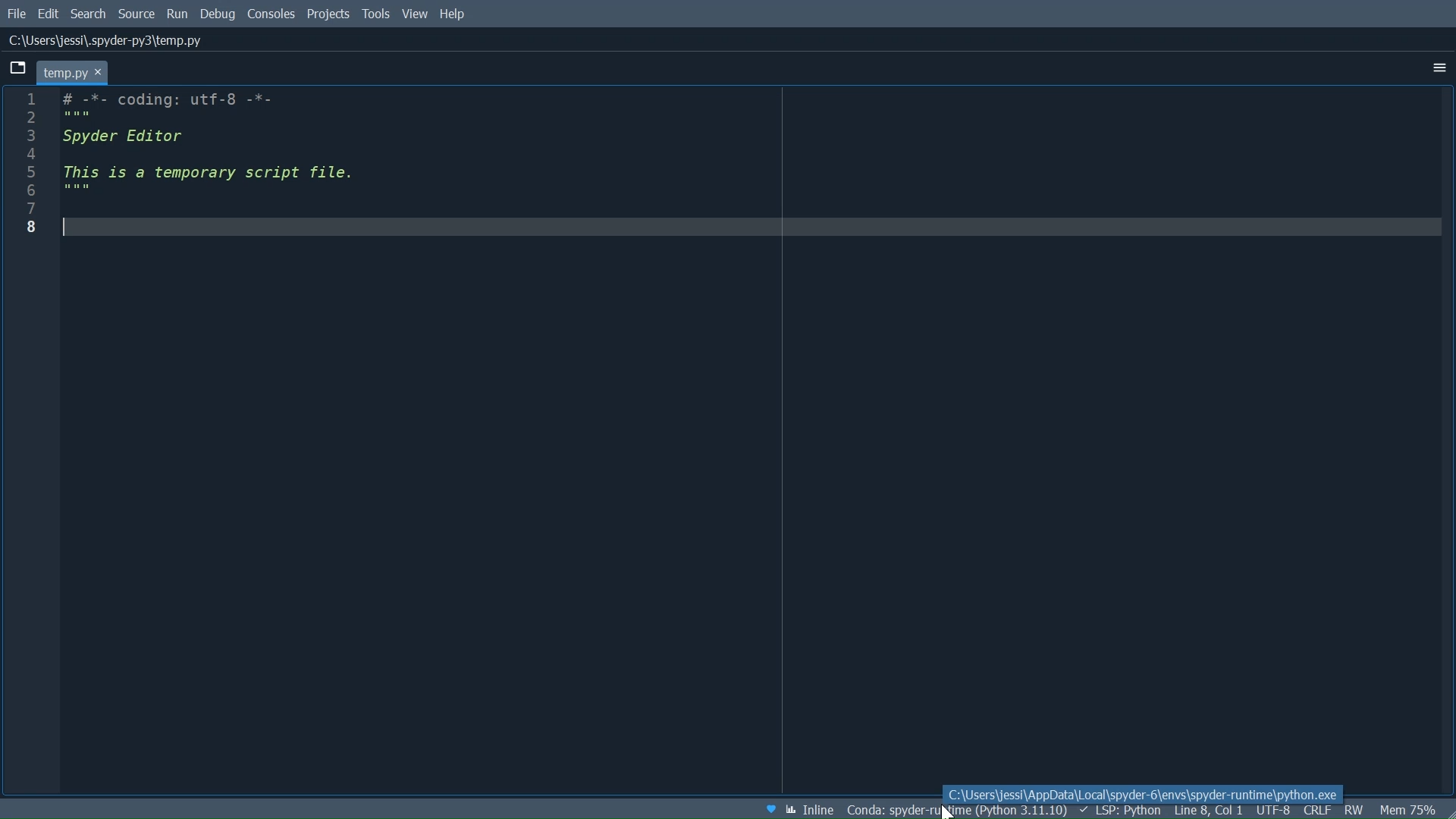 This screenshot has height=819, width=1456. What do you see at coordinates (271, 14) in the screenshot?
I see `Consoles` at bounding box center [271, 14].